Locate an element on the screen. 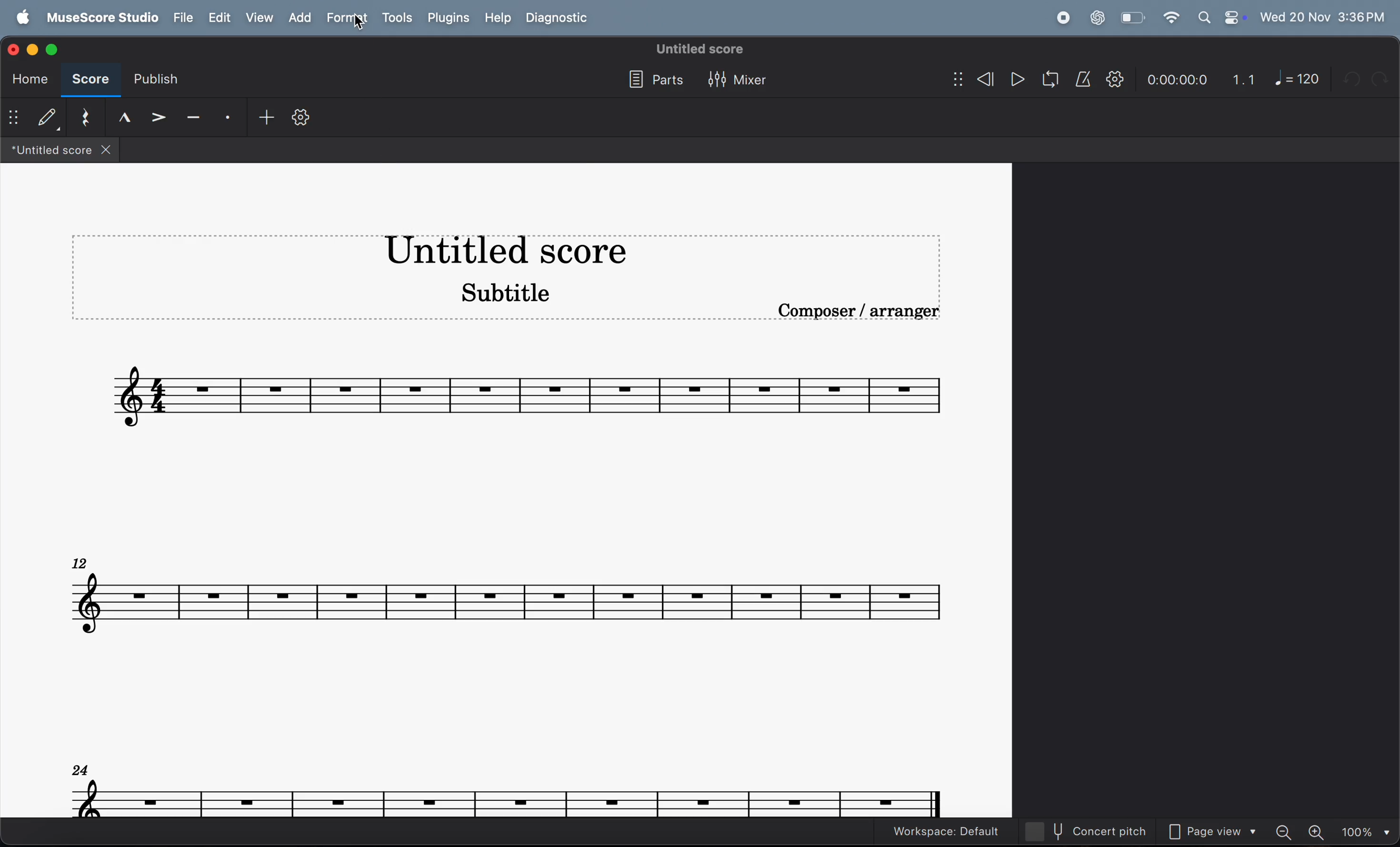 This screenshot has width=1400, height=847. apple menu is located at coordinates (19, 18).